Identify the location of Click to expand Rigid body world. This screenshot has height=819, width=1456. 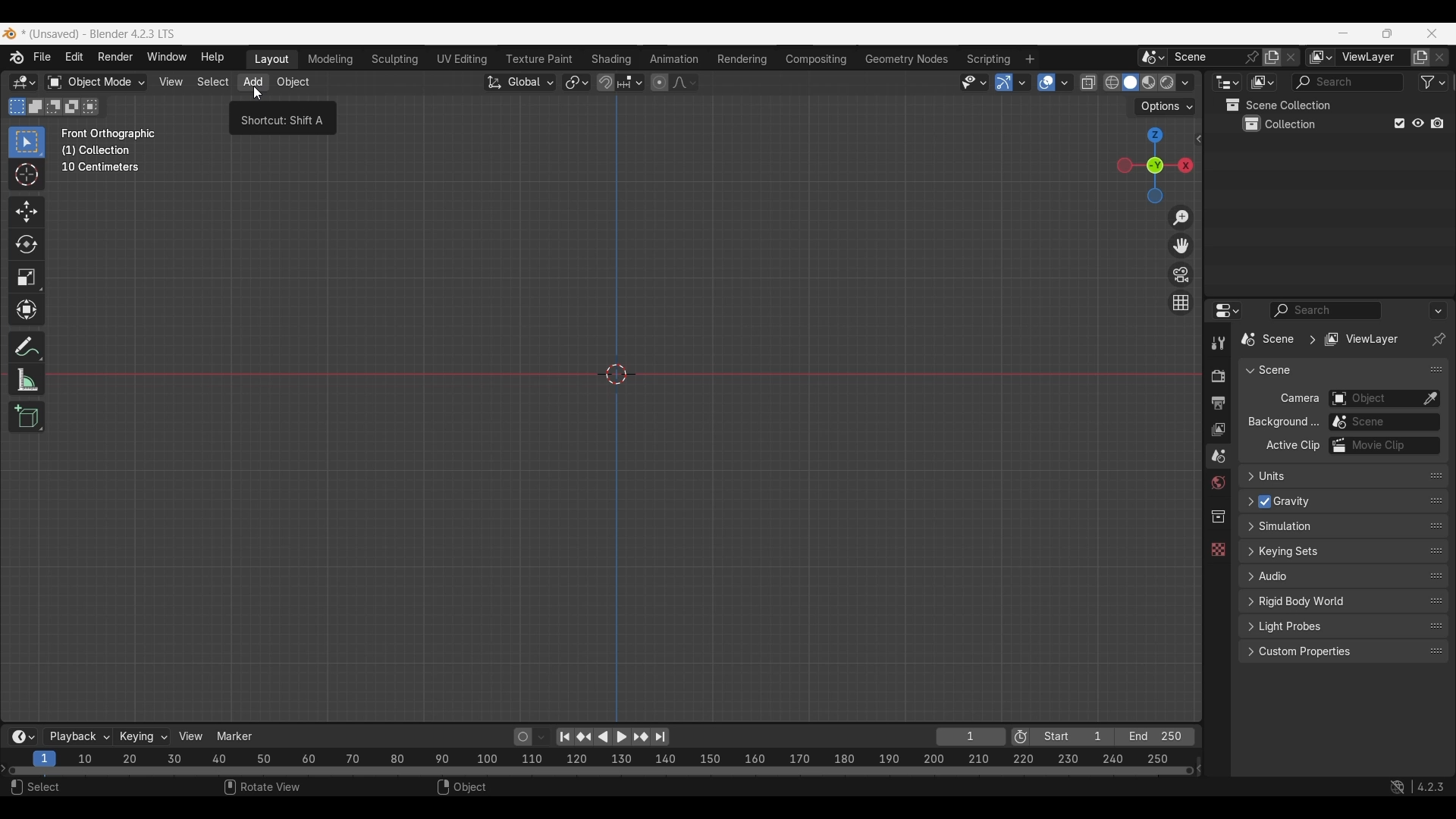
(1333, 601).